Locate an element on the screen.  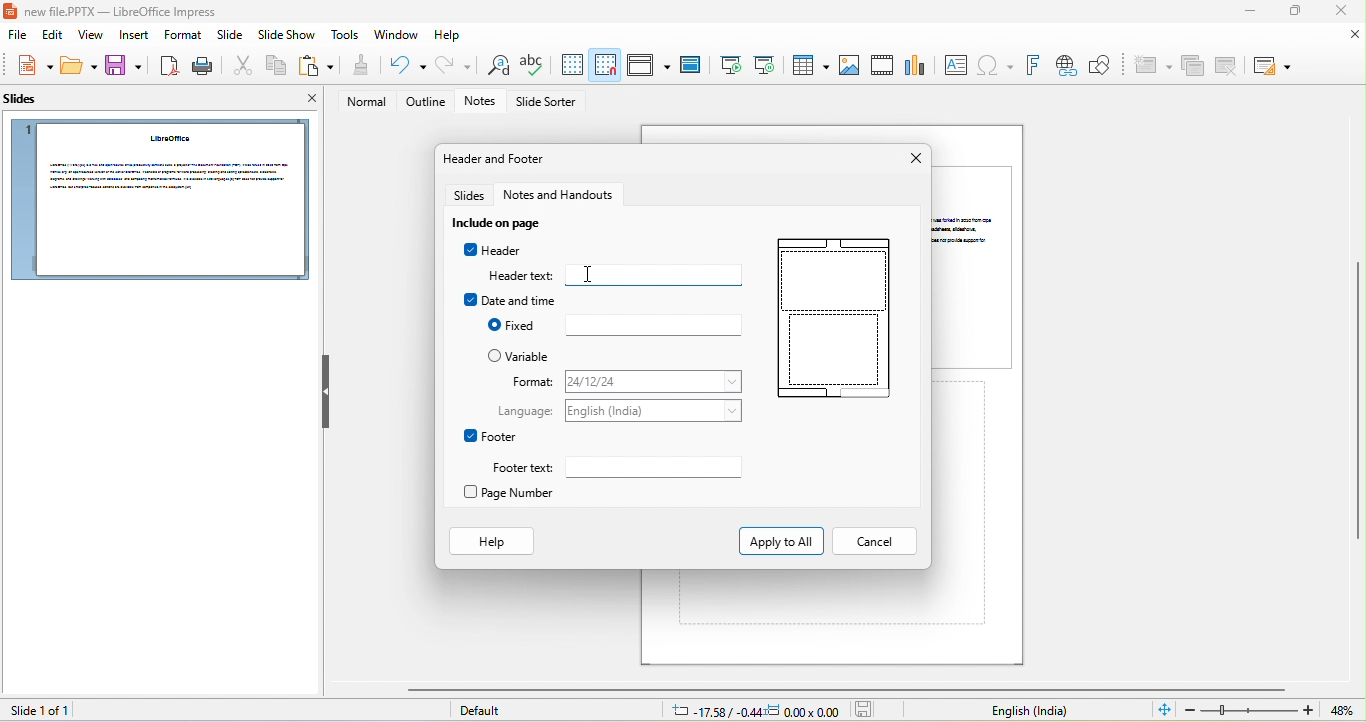
page number is located at coordinates (517, 494).